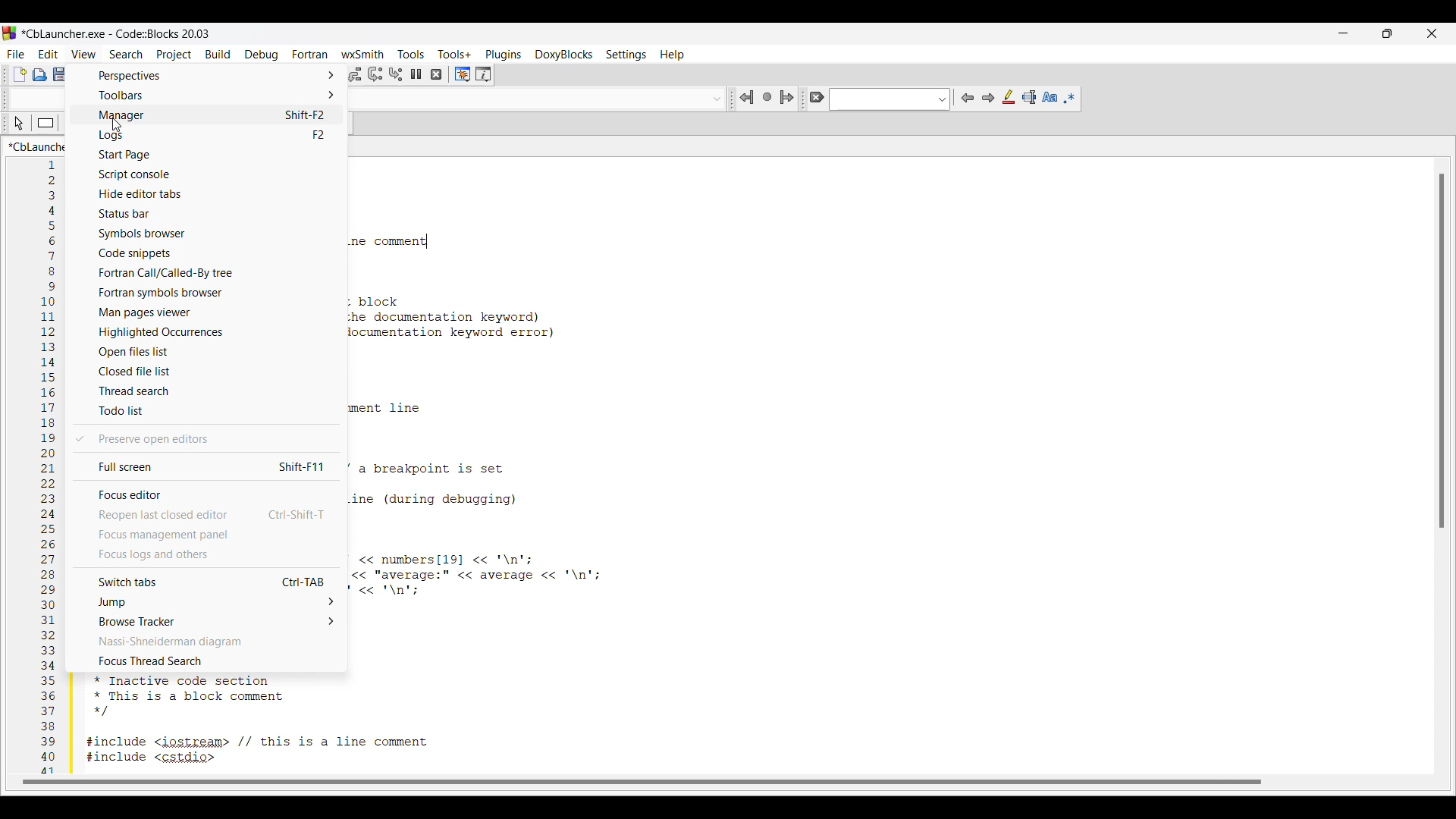 The image size is (1456, 819). What do you see at coordinates (208, 175) in the screenshot?
I see `Script console` at bounding box center [208, 175].